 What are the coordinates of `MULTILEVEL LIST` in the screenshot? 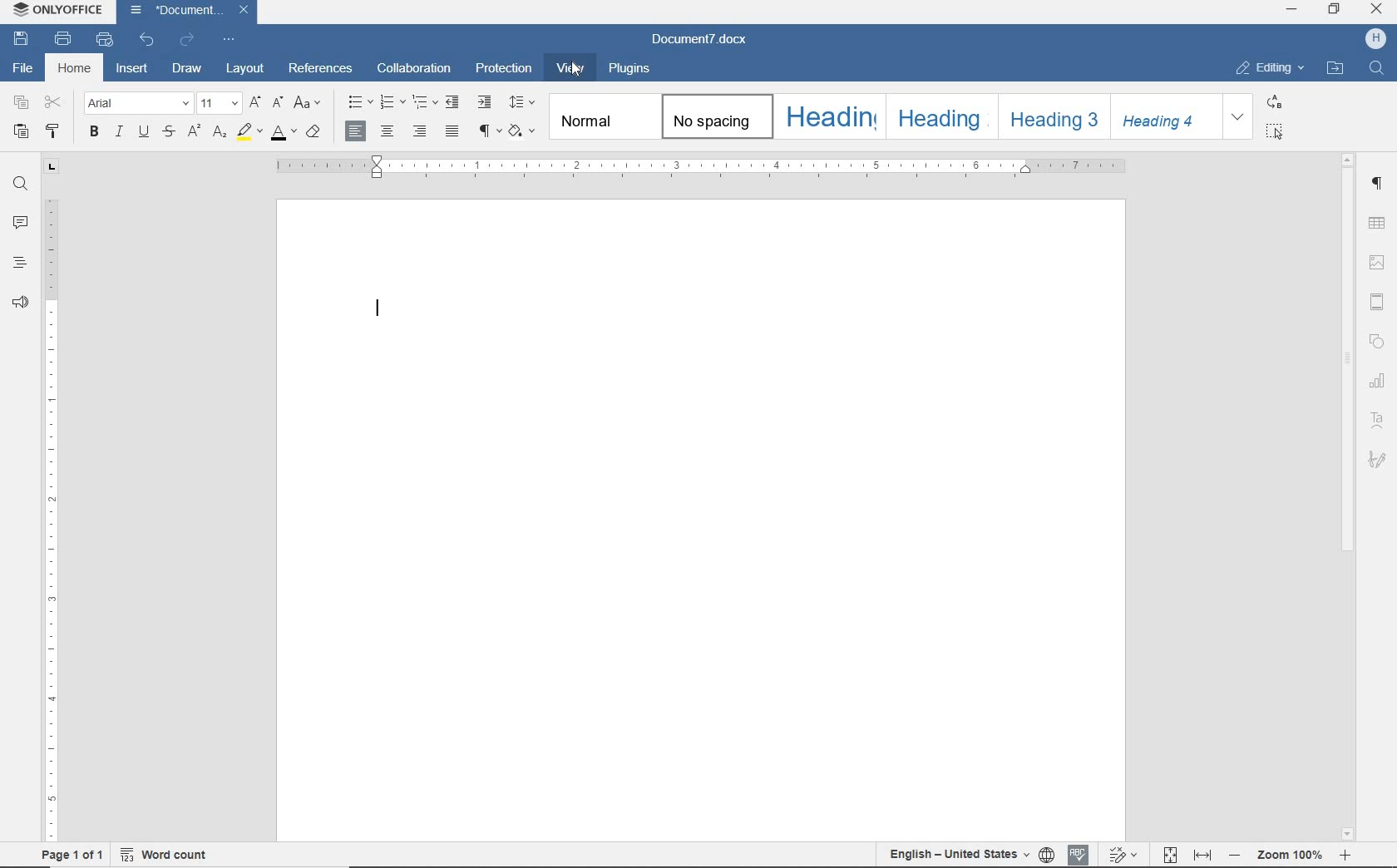 It's located at (421, 103).